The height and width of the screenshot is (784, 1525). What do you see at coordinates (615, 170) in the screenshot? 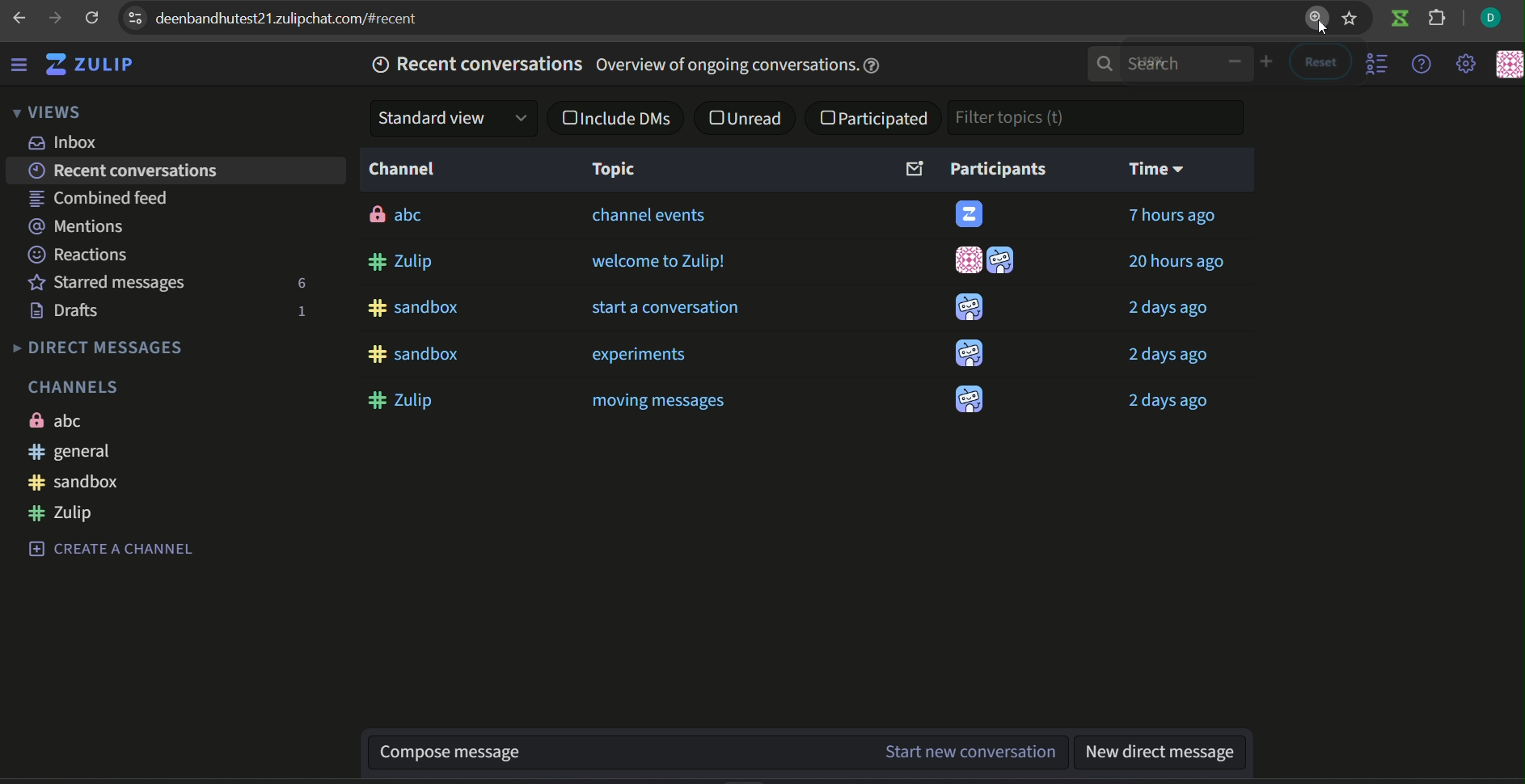
I see `Topic` at bounding box center [615, 170].